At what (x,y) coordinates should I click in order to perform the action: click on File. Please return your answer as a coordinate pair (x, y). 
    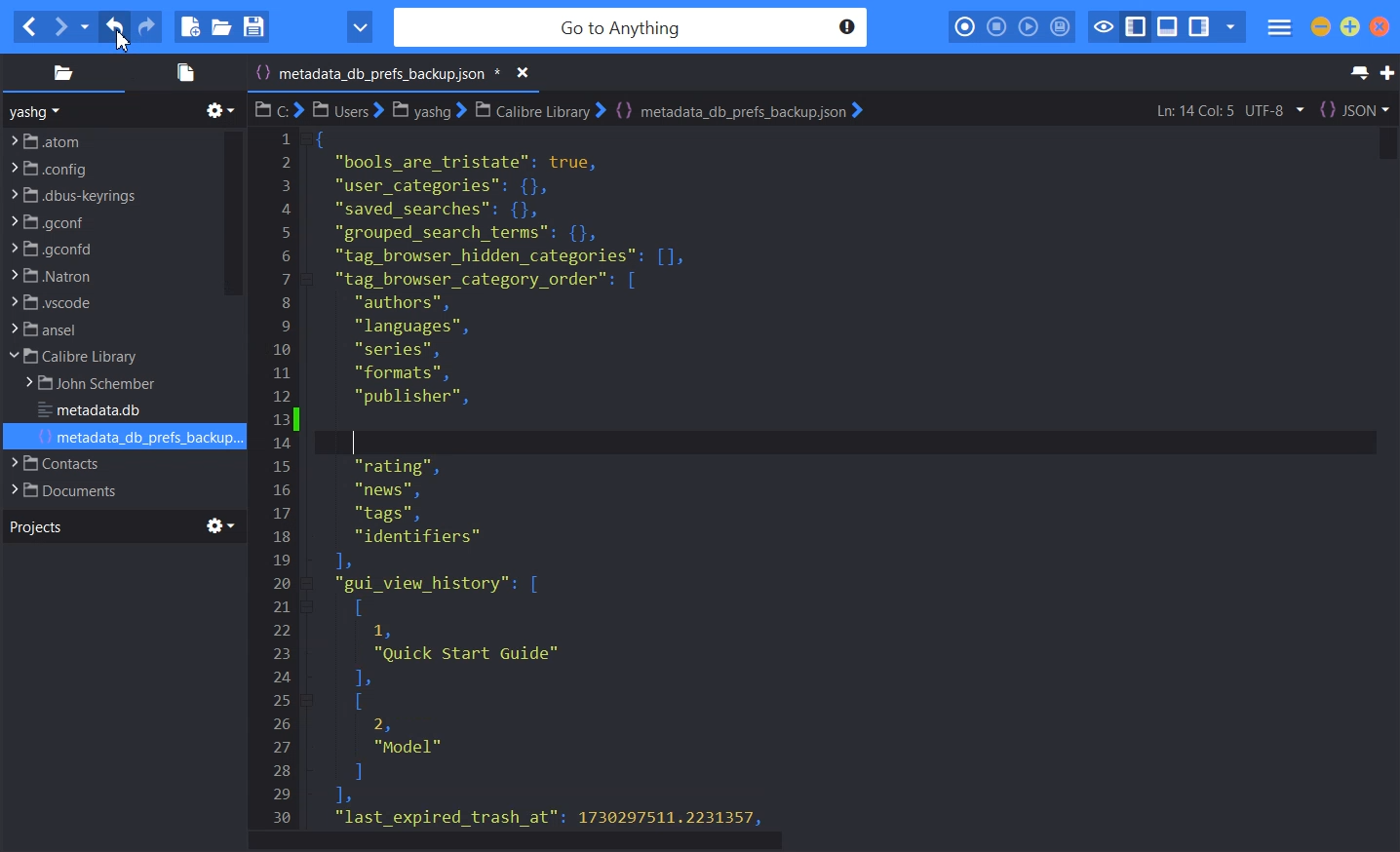
    Looking at the image, I should click on (97, 411).